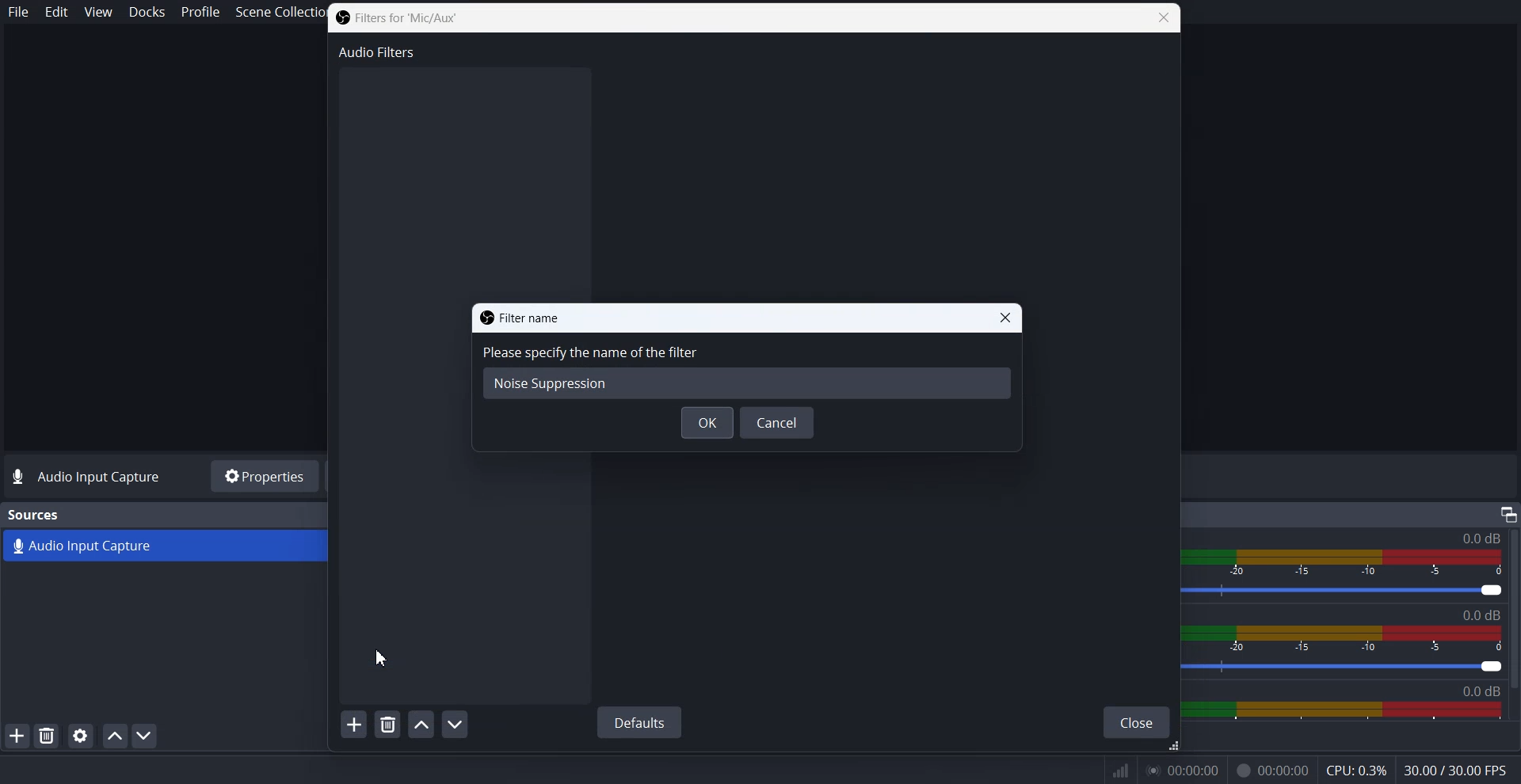  I want to click on Open source properties, so click(79, 736).